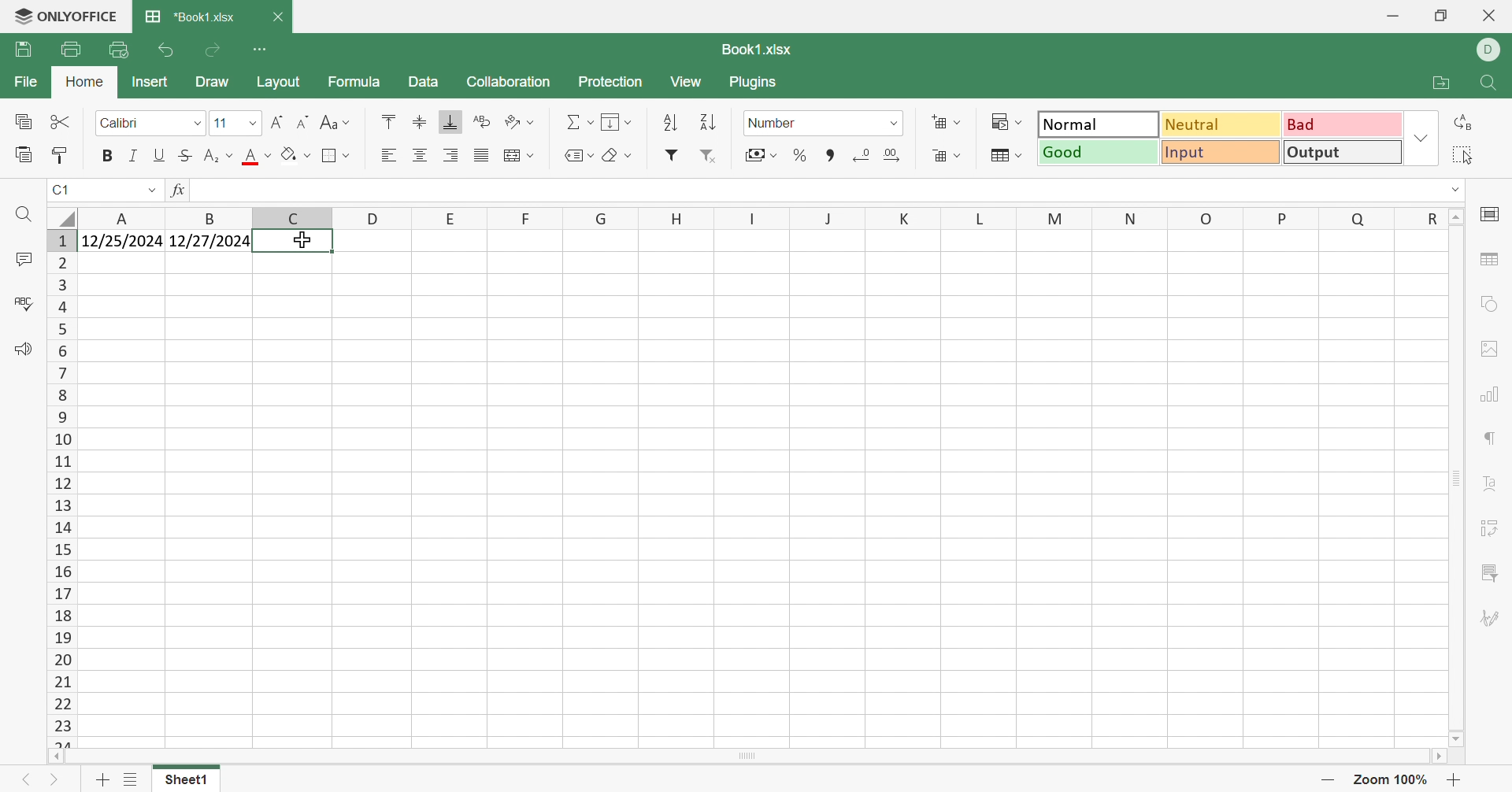  What do you see at coordinates (1485, 485) in the screenshot?
I see `Text Art settings` at bounding box center [1485, 485].